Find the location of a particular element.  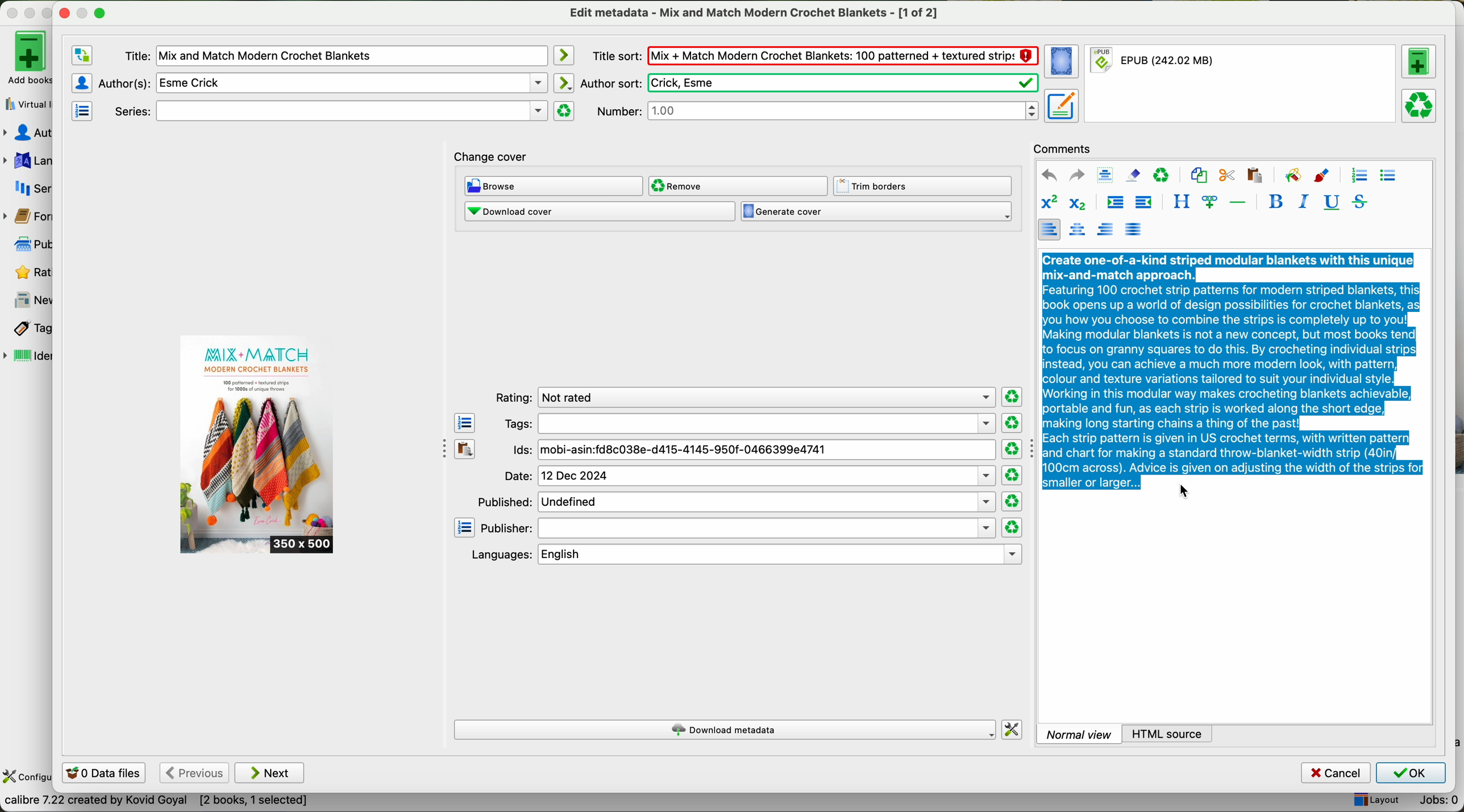

set the series manage editor is located at coordinates (81, 110).